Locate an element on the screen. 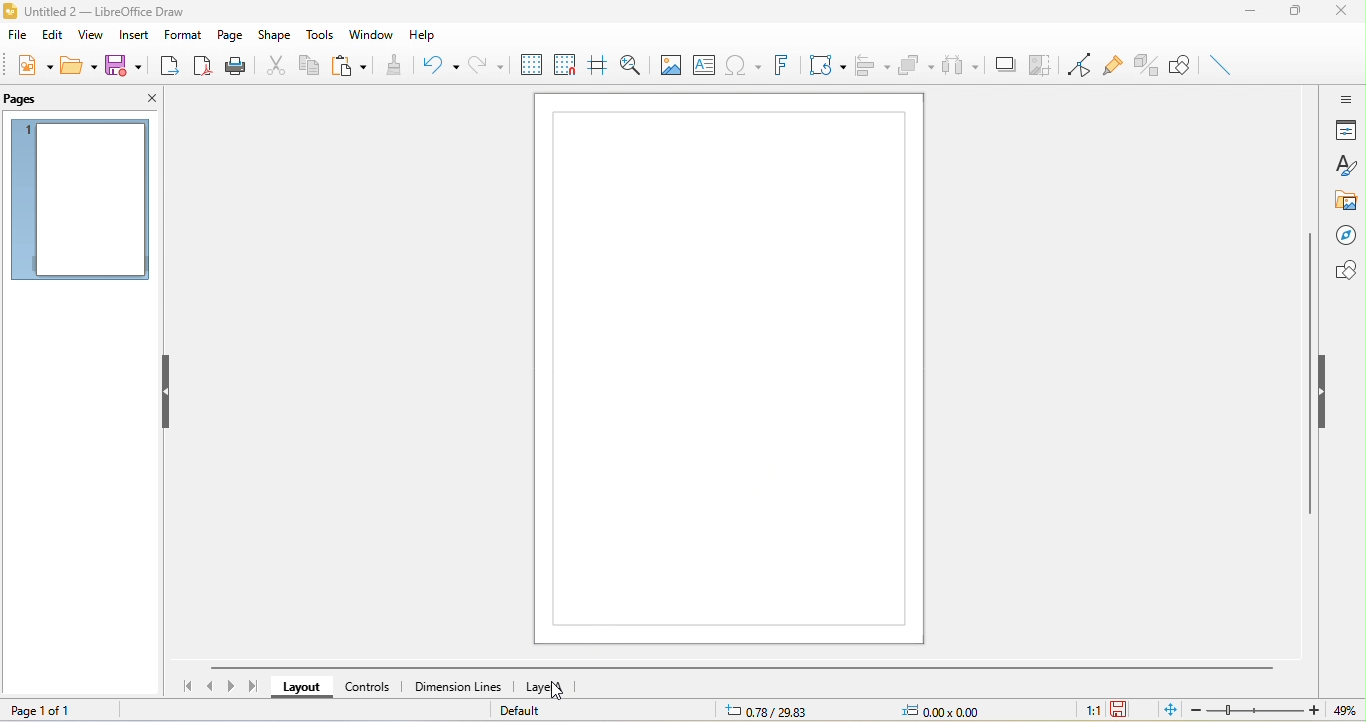  the document has not been modified since the last save is located at coordinates (1125, 710).